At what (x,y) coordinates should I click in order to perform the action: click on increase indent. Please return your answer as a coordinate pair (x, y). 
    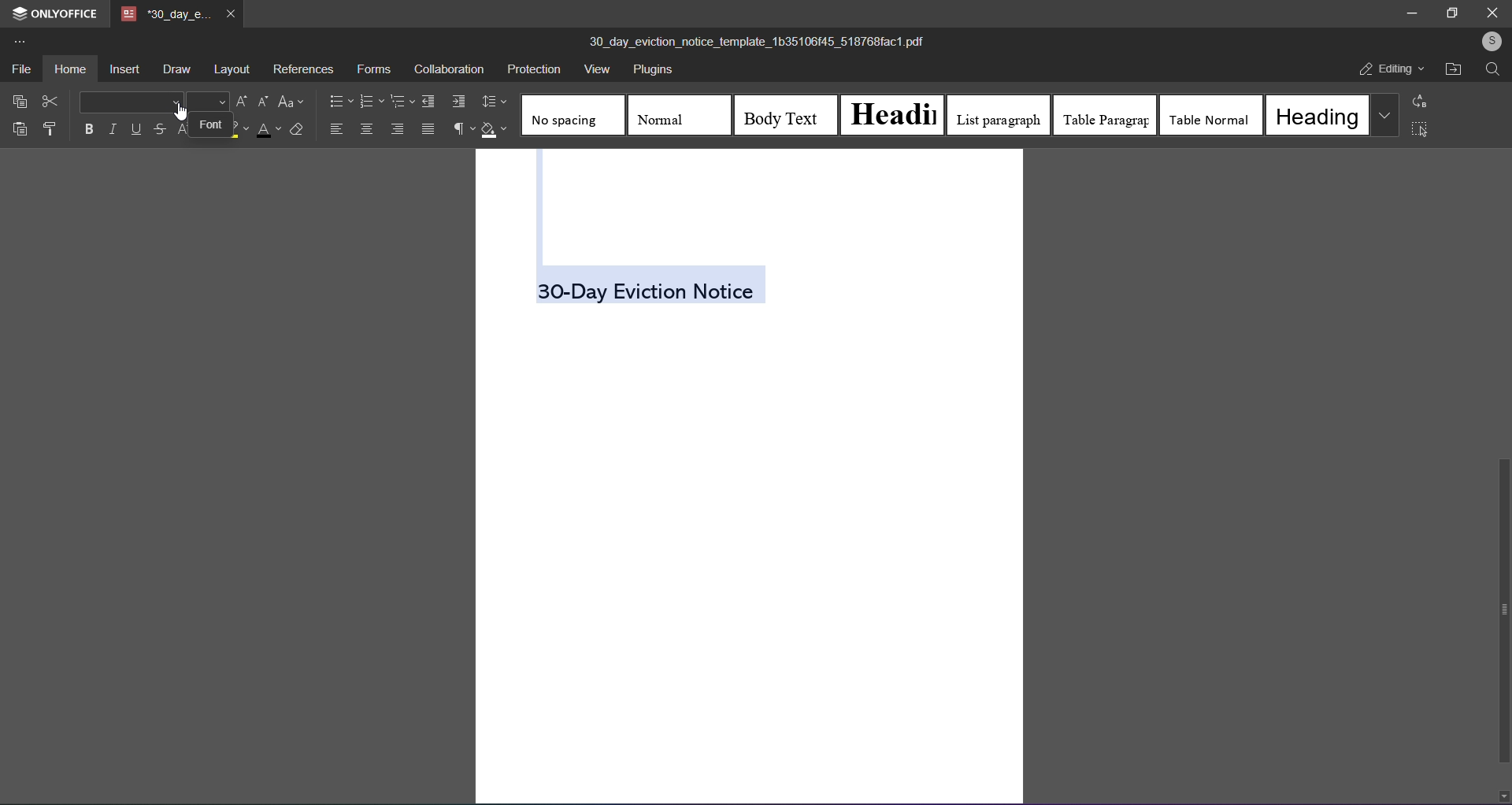
    Looking at the image, I should click on (458, 101).